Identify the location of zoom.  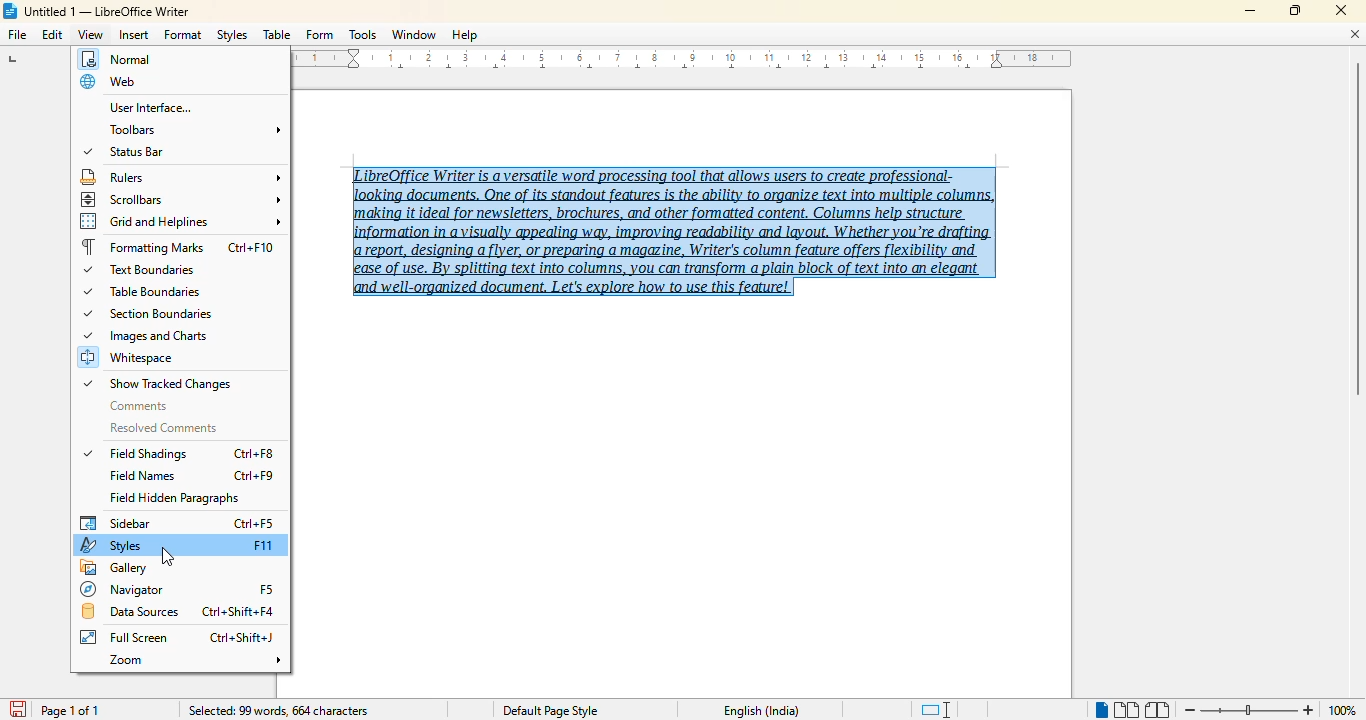
(192, 659).